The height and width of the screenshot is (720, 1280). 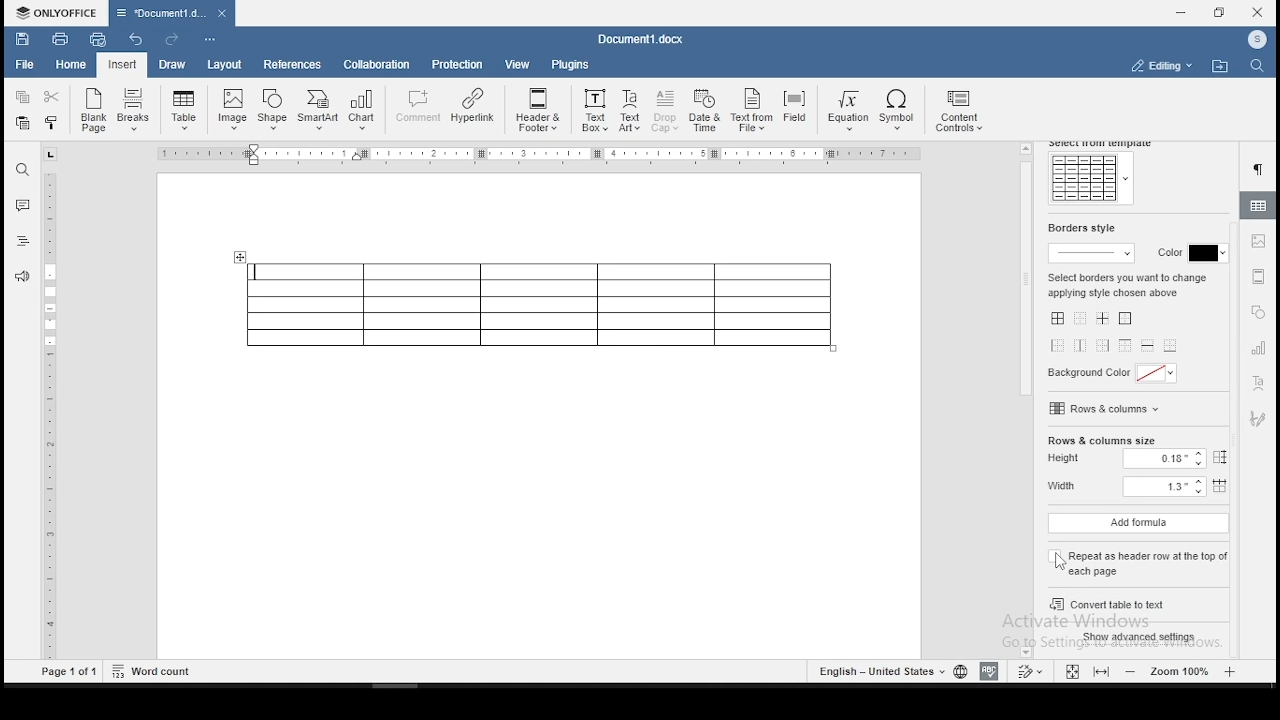 I want to click on content controls, so click(x=963, y=113).